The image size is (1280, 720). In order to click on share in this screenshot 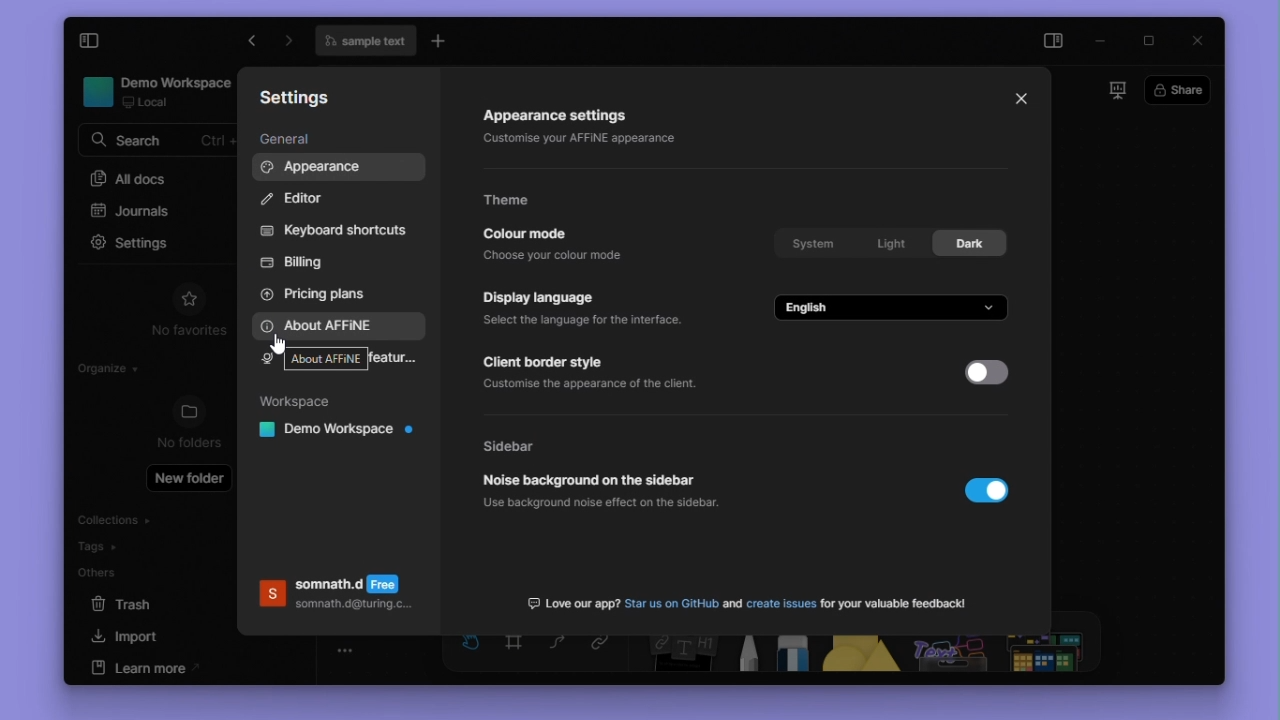, I will do `click(1178, 90)`.